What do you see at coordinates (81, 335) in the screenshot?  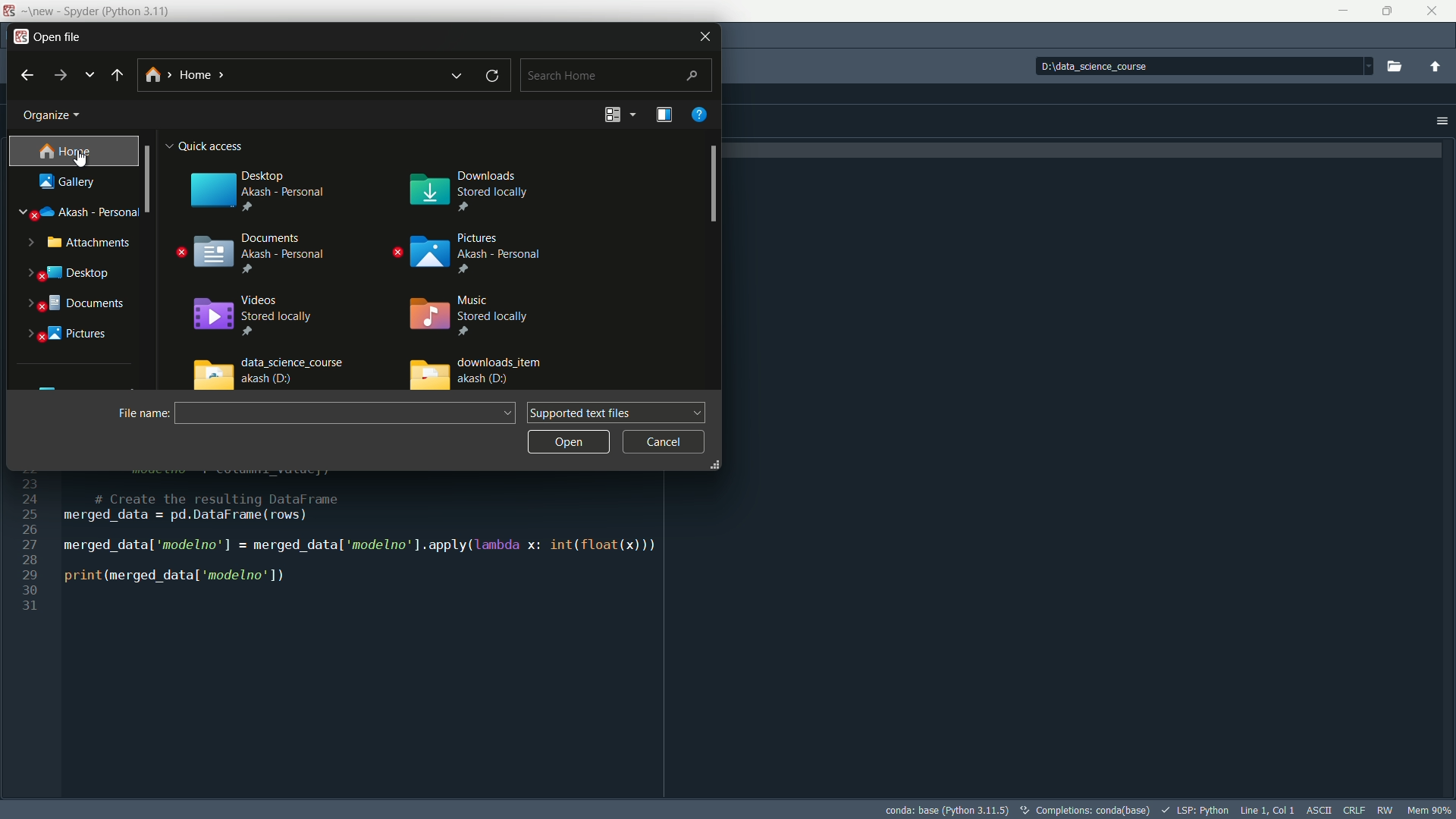 I see `pictures` at bounding box center [81, 335].